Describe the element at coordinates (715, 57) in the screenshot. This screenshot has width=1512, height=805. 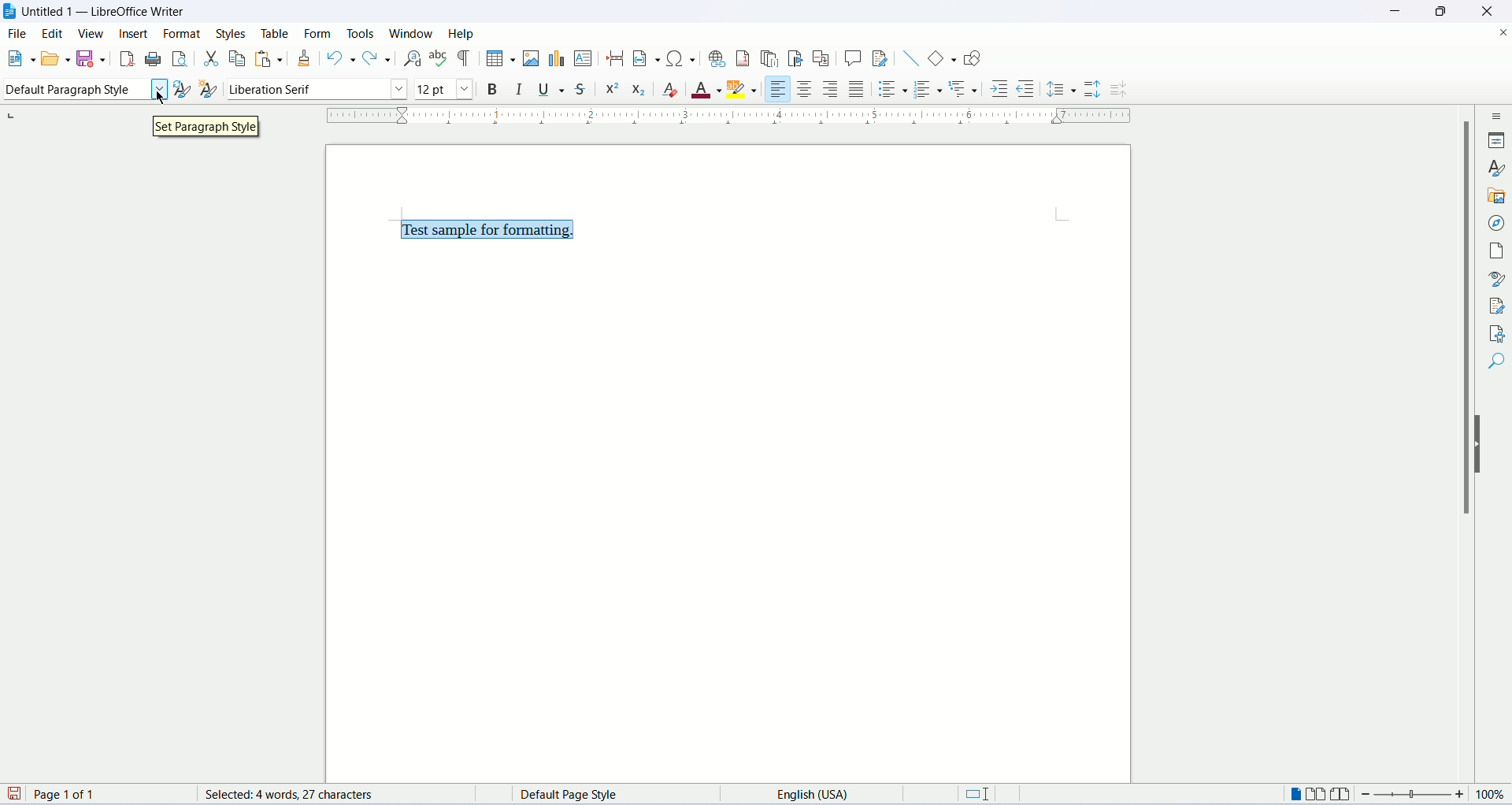
I see `insert hyperlink` at that location.